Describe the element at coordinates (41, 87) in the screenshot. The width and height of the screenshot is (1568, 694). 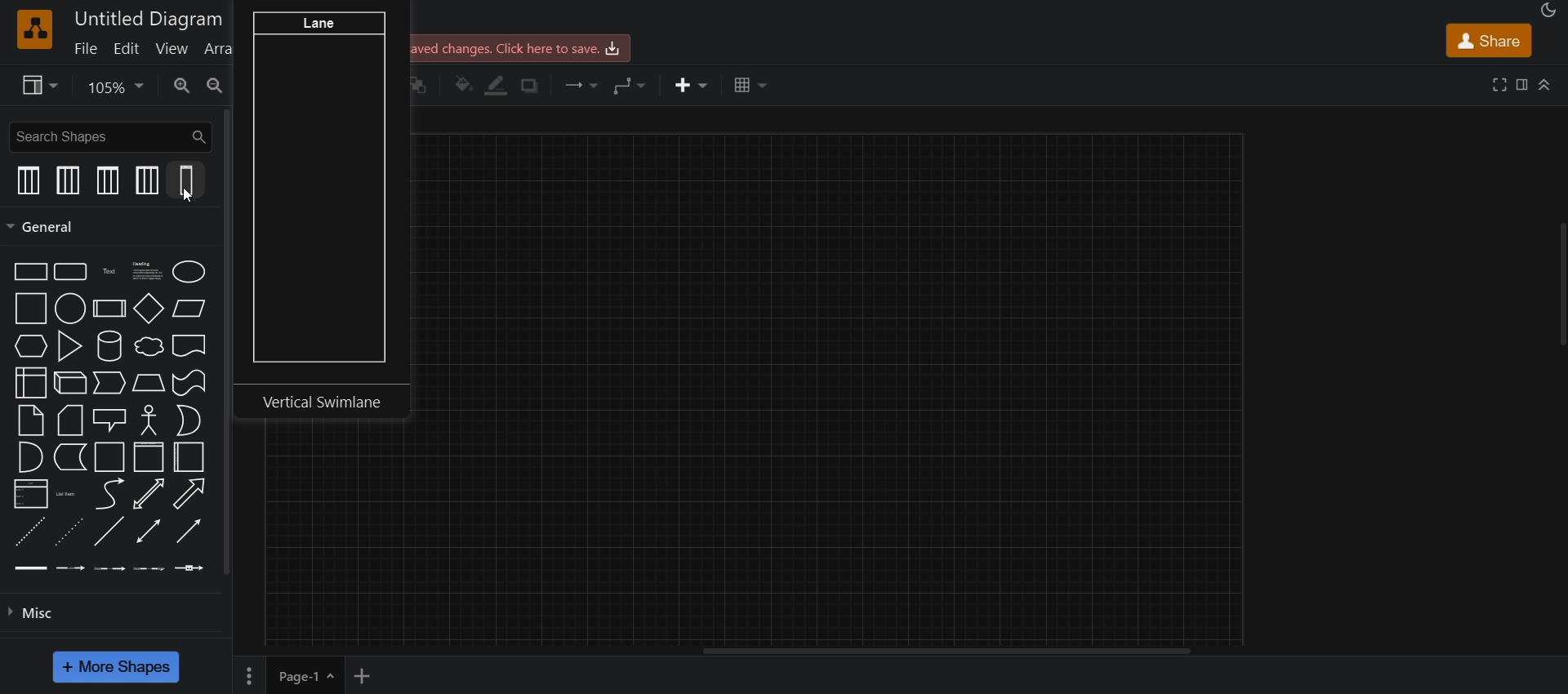
I see `view` at that location.